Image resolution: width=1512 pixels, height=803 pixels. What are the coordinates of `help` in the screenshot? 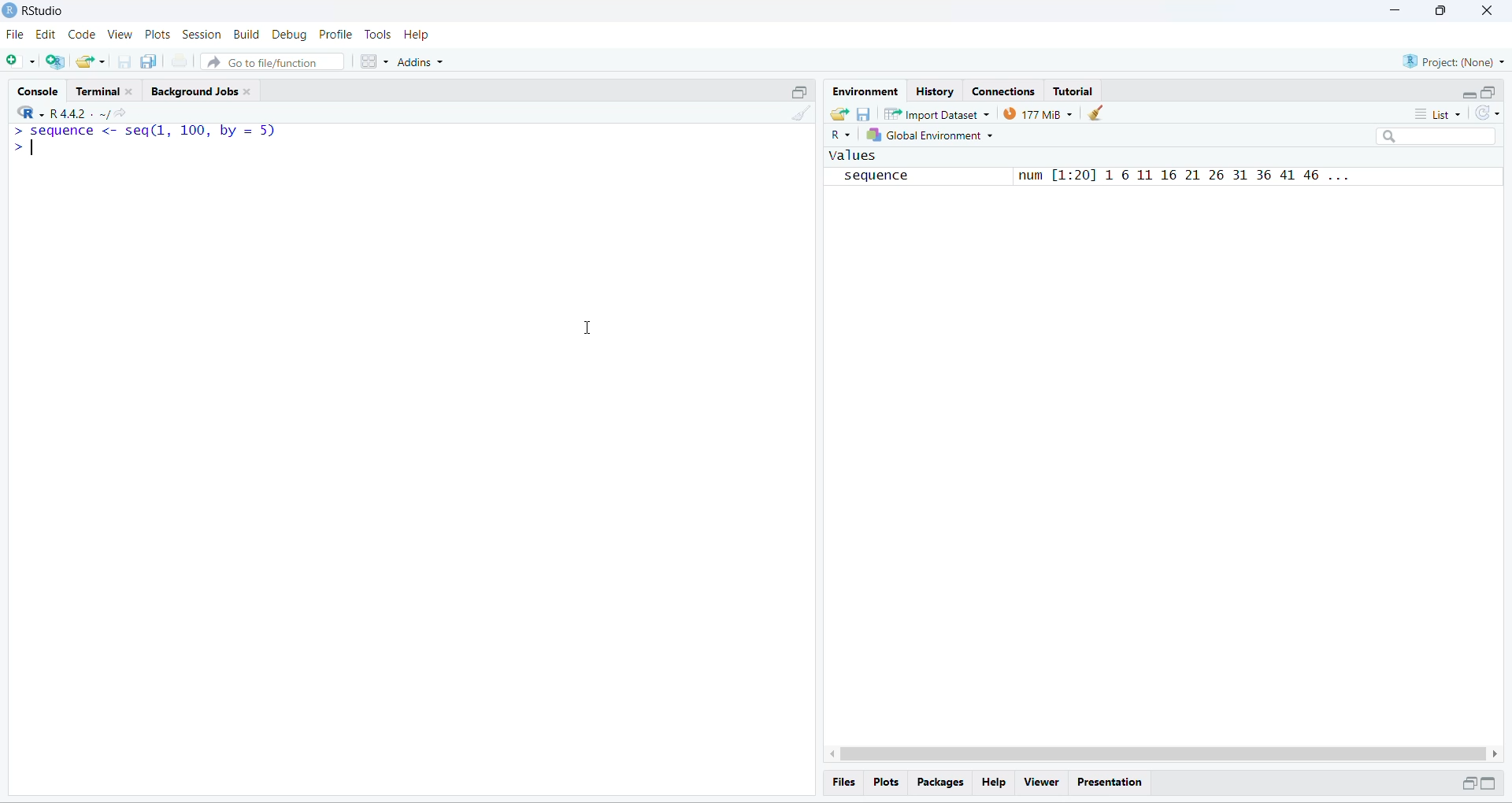 It's located at (416, 35).